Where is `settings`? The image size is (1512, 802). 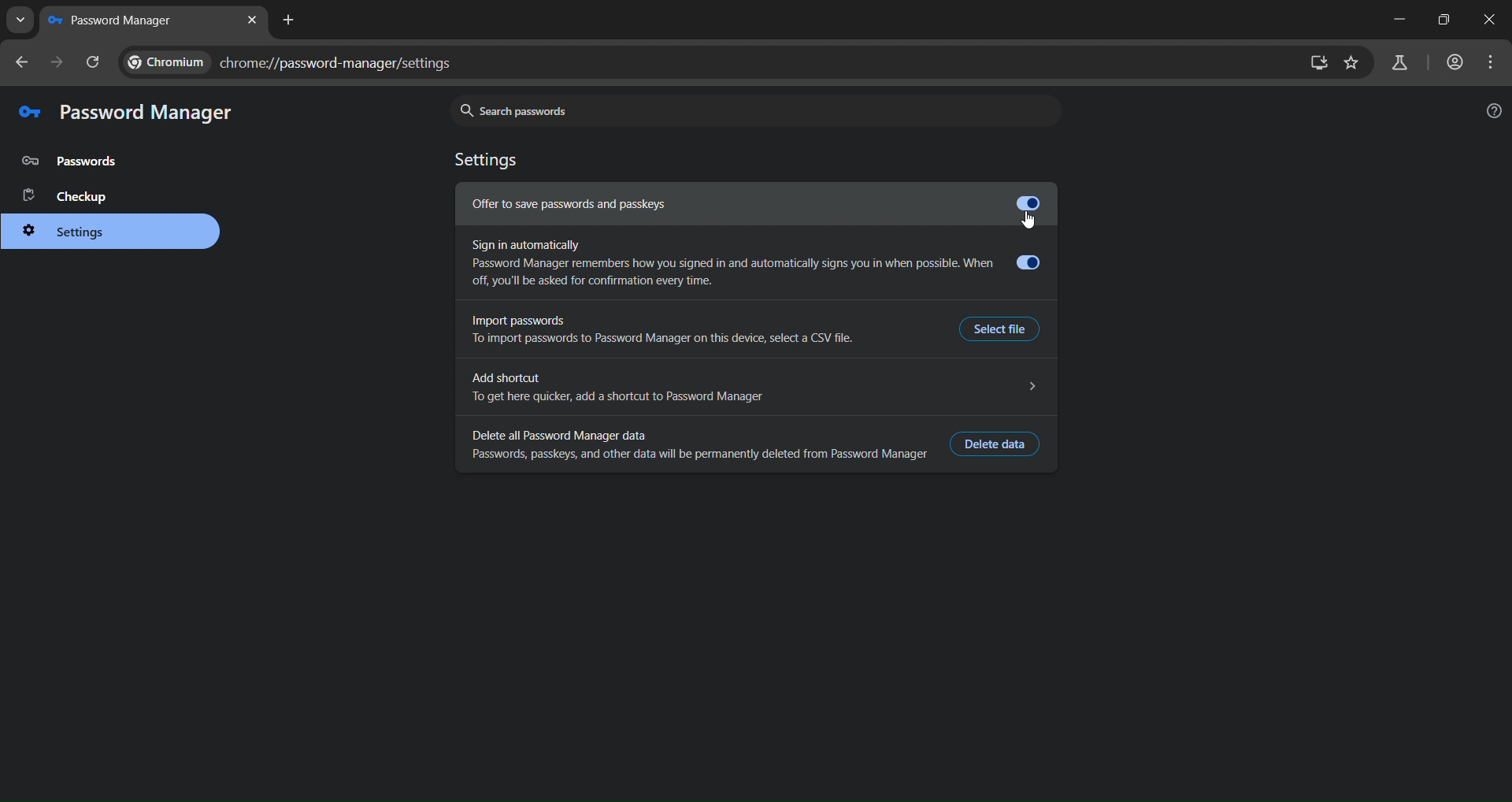 settings is located at coordinates (72, 232).